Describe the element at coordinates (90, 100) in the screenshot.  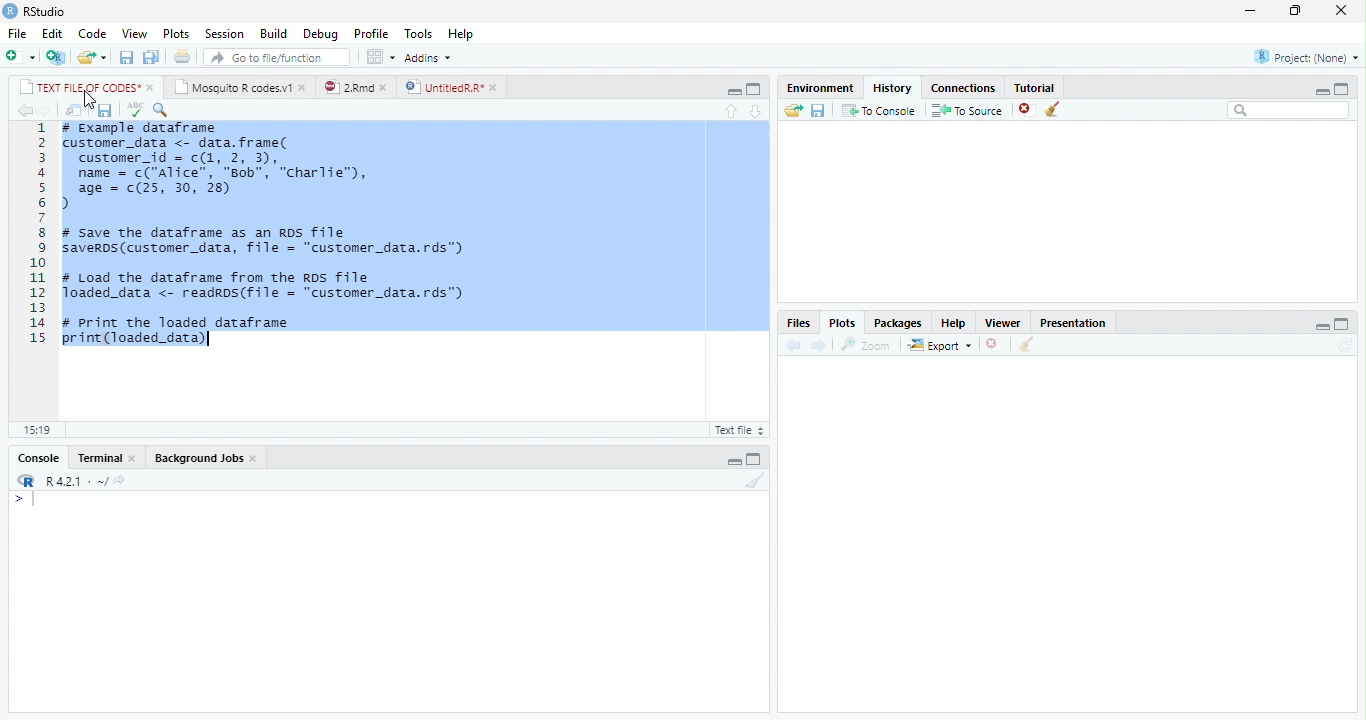
I see `cursor` at that location.